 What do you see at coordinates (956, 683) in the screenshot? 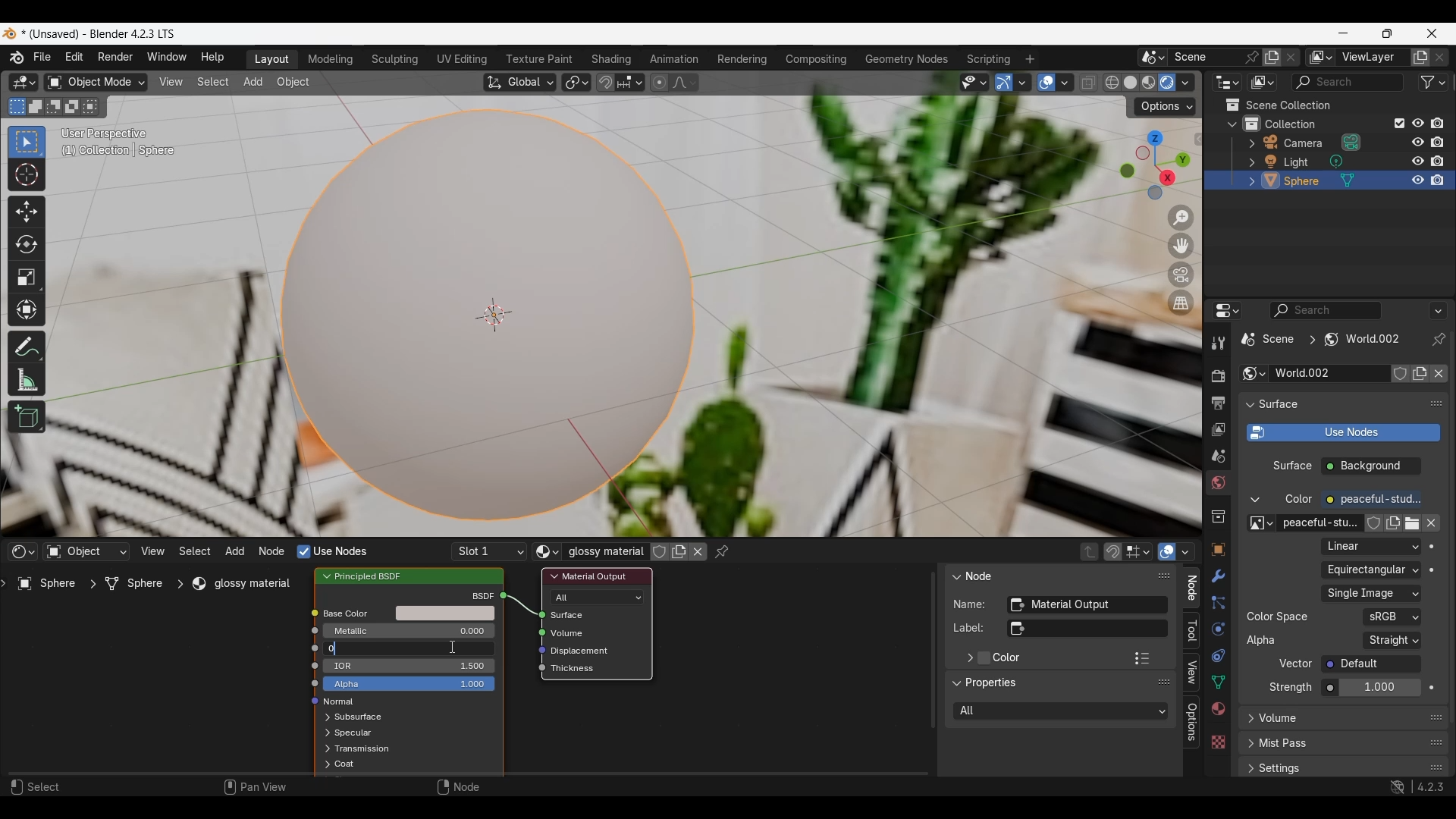
I see `Collapse` at bounding box center [956, 683].